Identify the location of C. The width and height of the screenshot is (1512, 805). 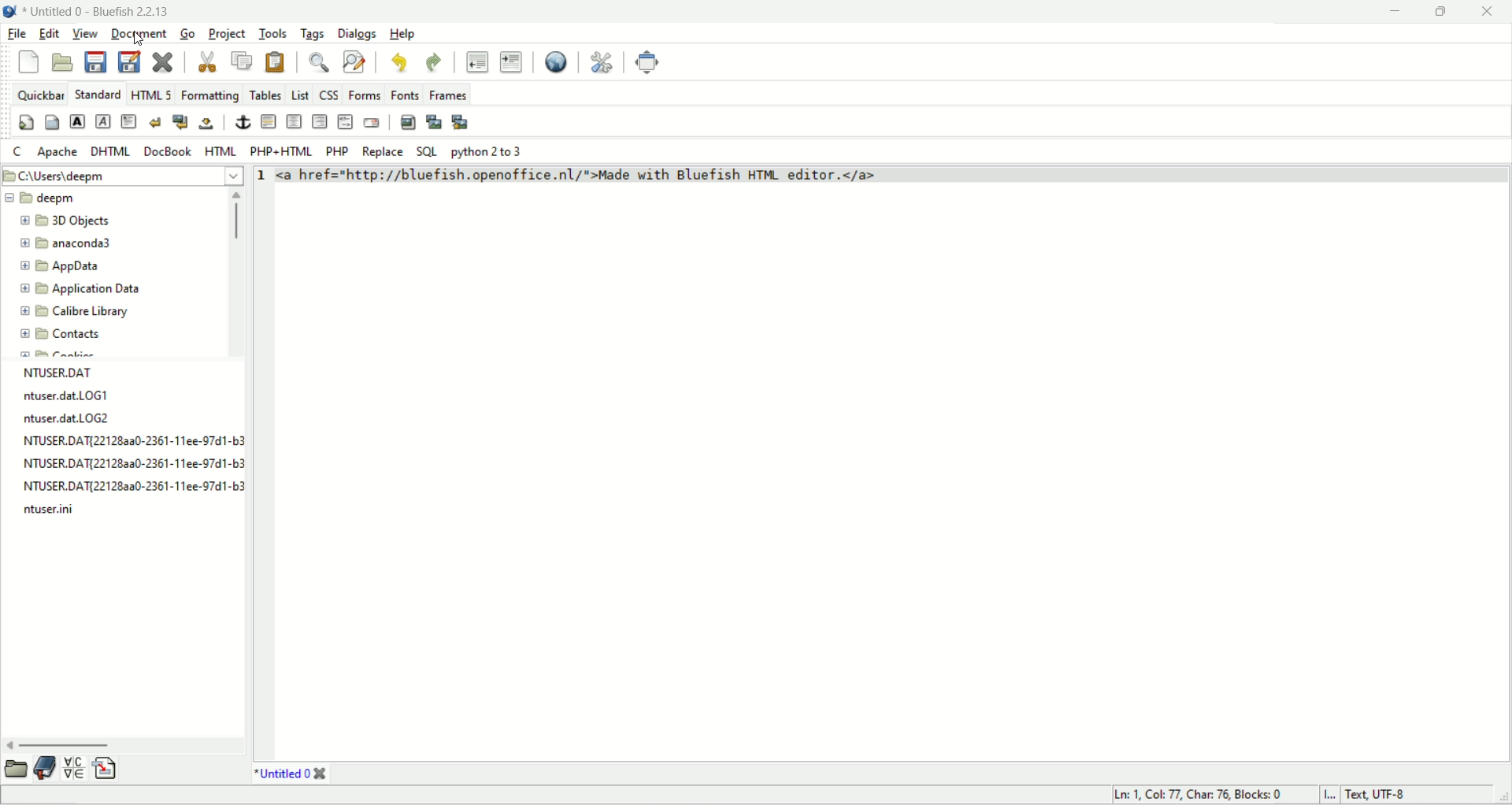
(20, 152).